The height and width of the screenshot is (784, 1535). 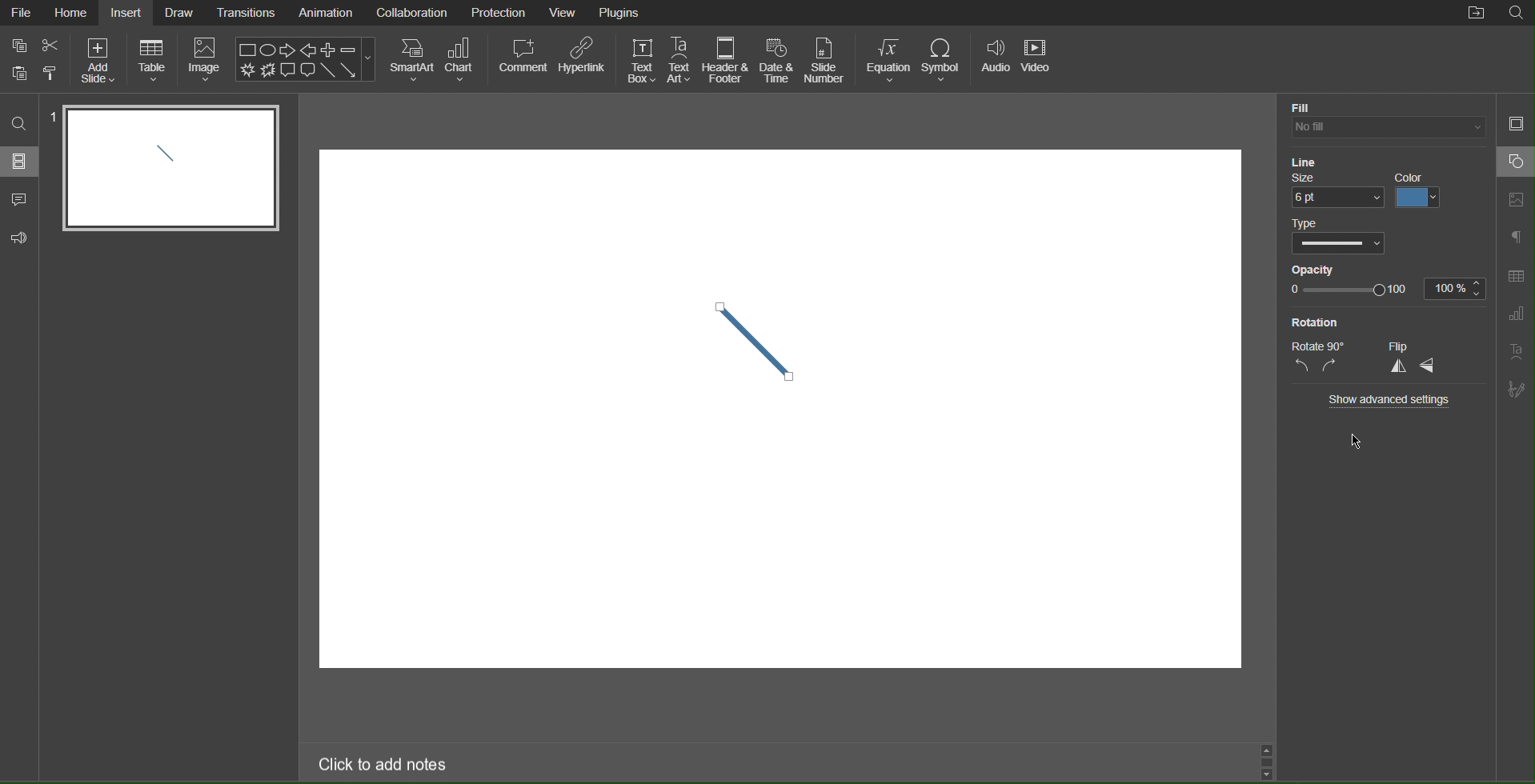 I want to click on Click to add notes, so click(x=384, y=766).